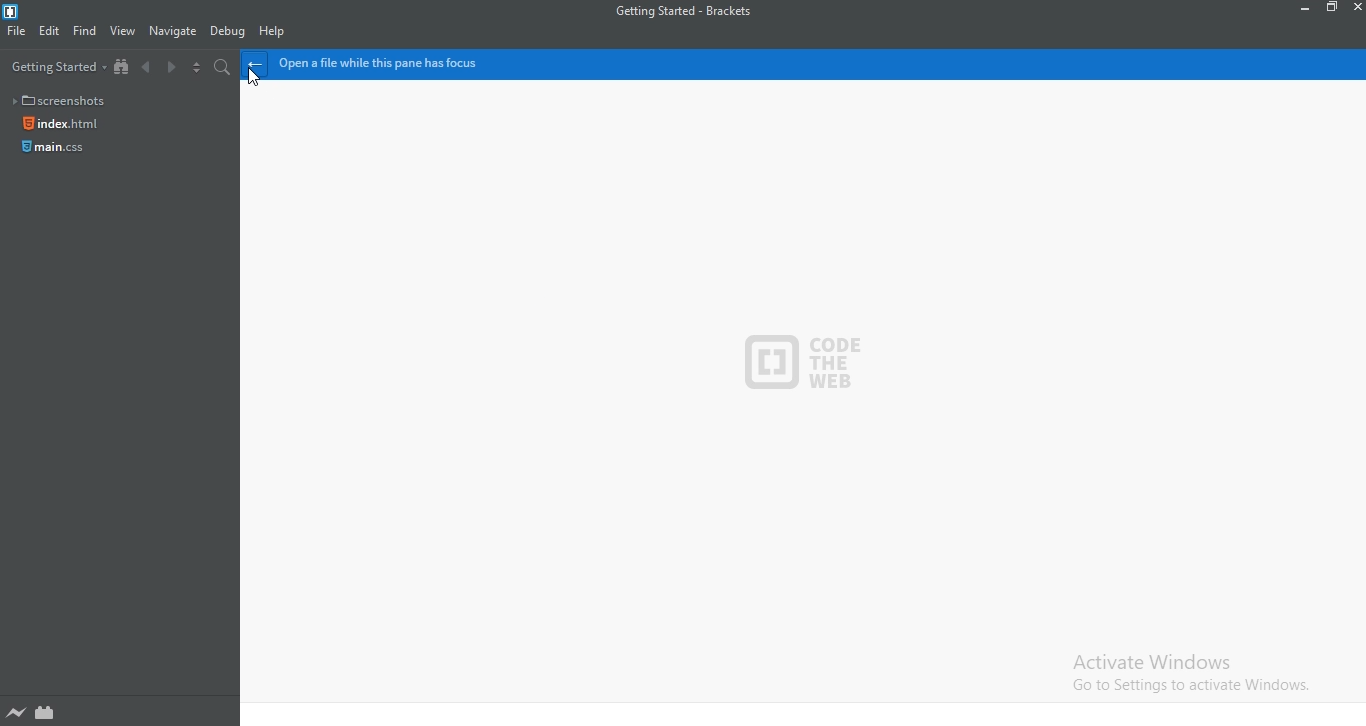 The image size is (1366, 726). I want to click on Next document, so click(172, 67).